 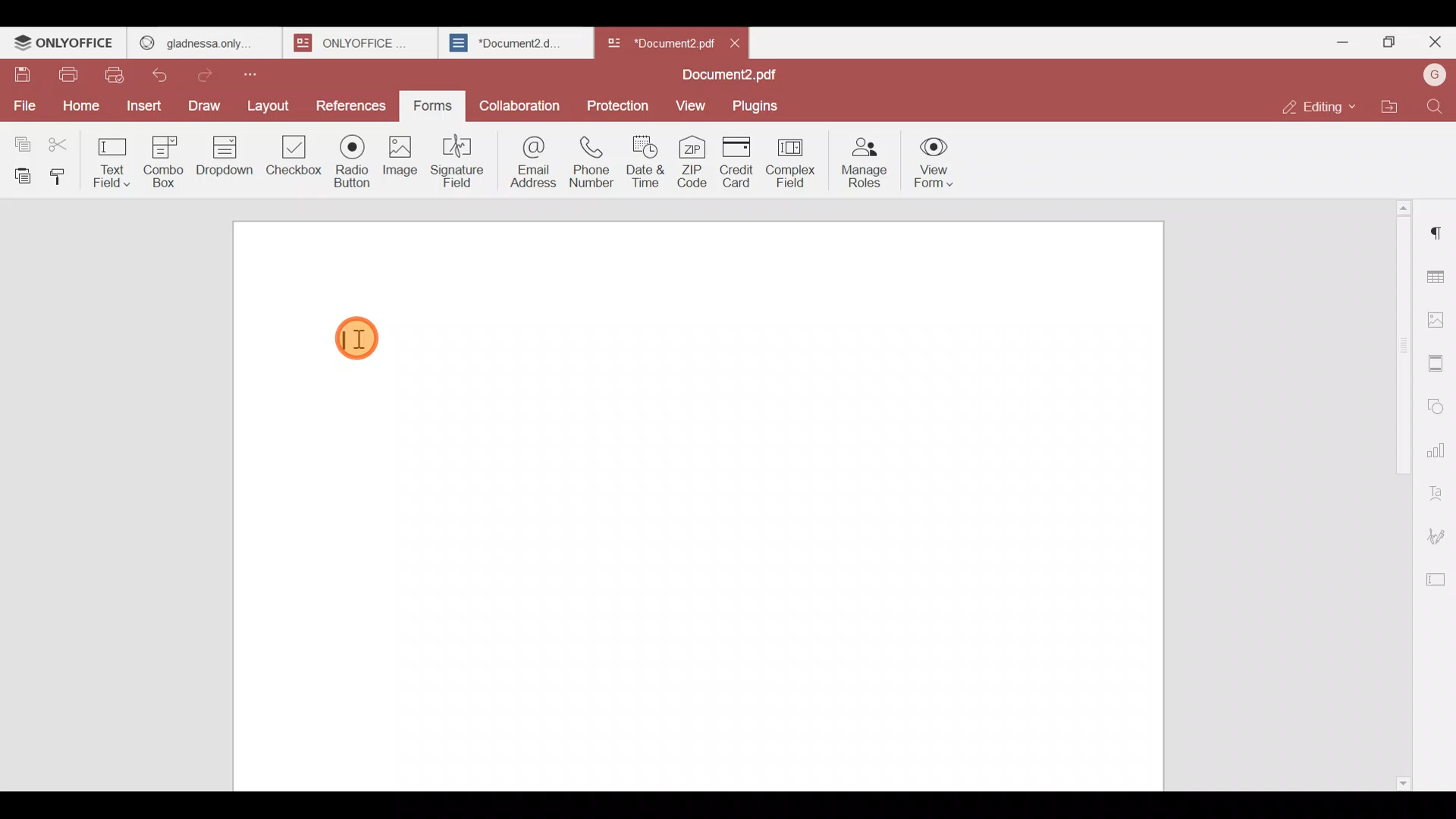 I want to click on Text field, so click(x=110, y=158).